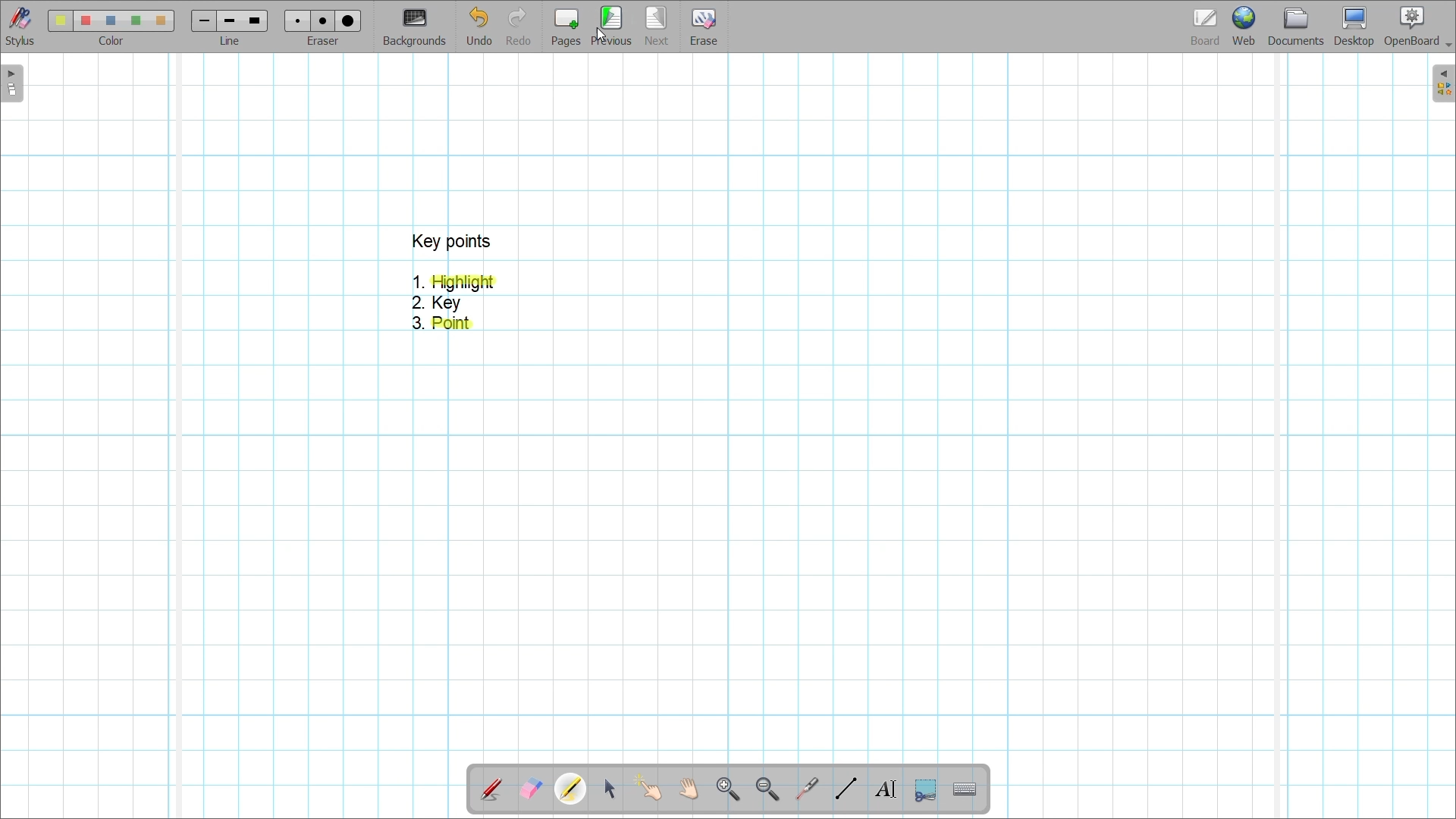 The height and width of the screenshot is (819, 1456). What do you see at coordinates (297, 20) in the screenshot?
I see `Eraser 1` at bounding box center [297, 20].